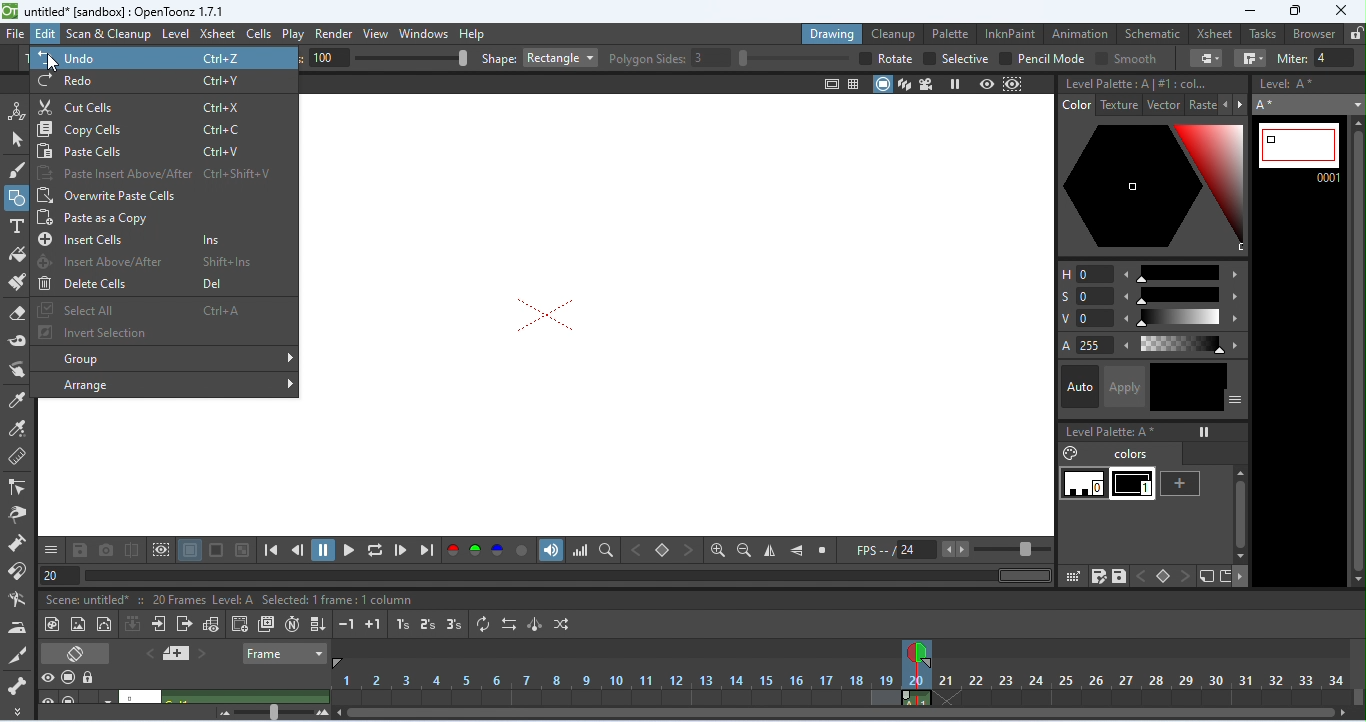  Describe the element at coordinates (156, 173) in the screenshot. I see `paste insert above/ after` at that location.